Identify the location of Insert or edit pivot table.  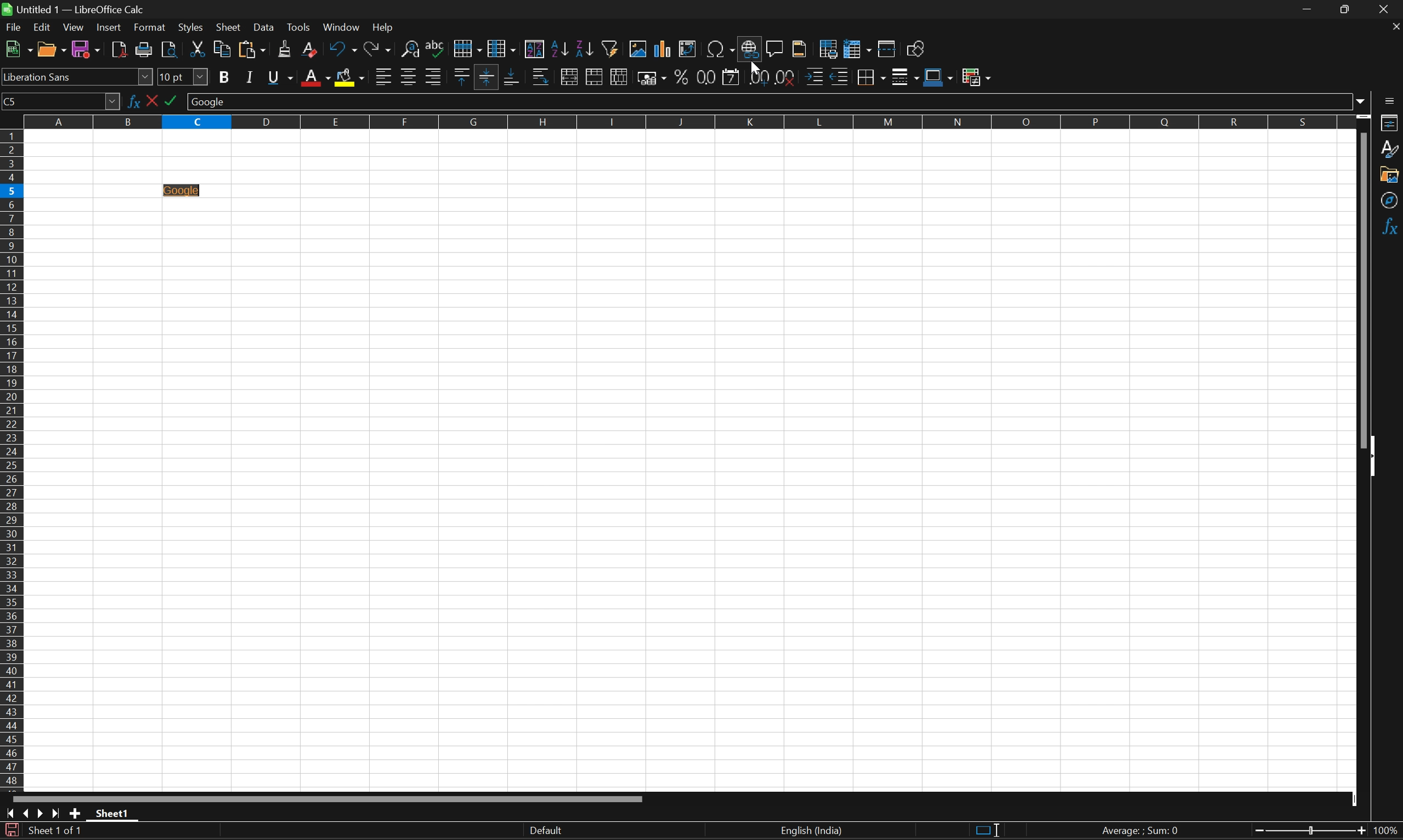
(688, 48).